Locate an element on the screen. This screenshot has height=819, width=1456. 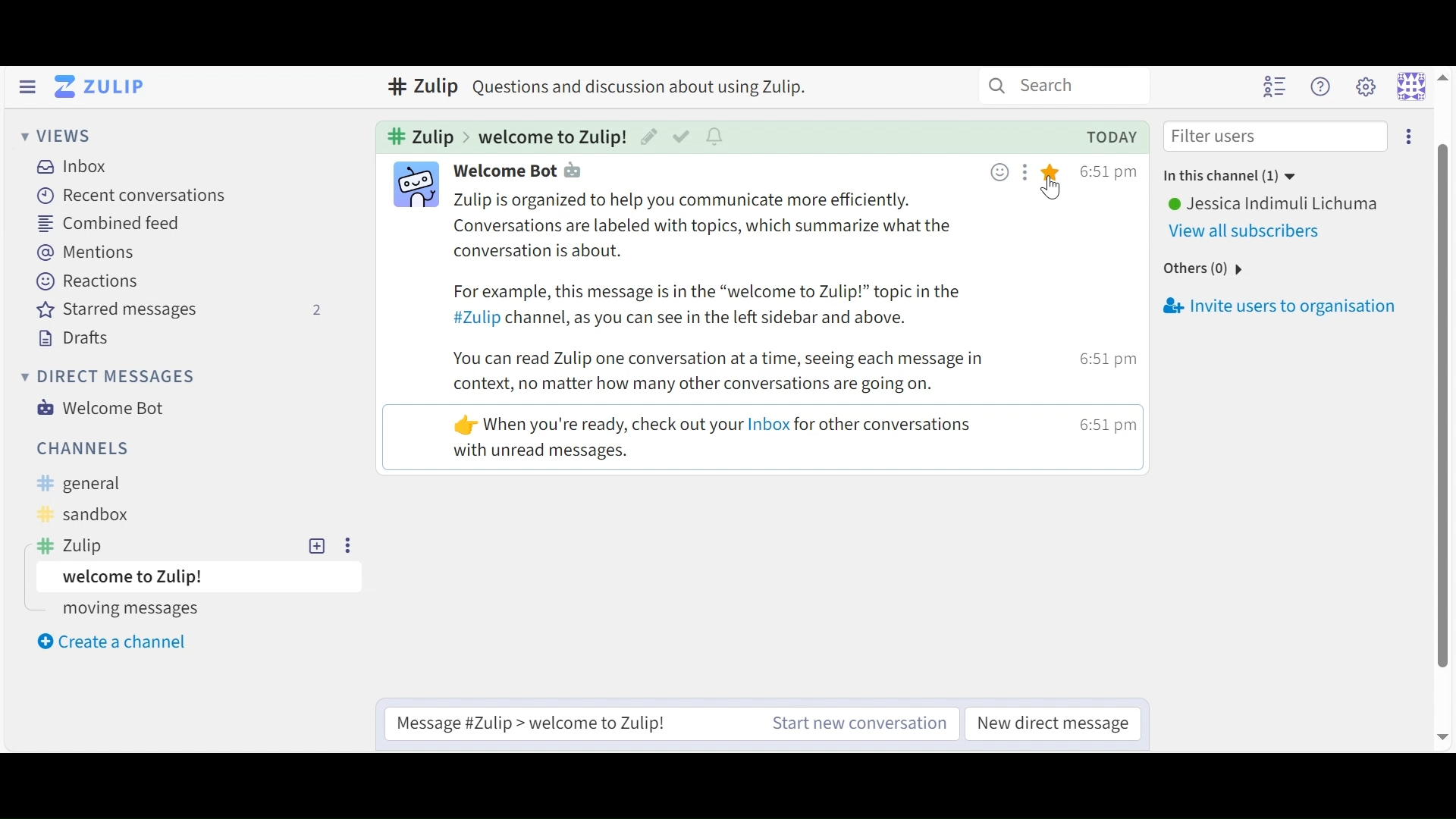
mesage is located at coordinates (798, 438).